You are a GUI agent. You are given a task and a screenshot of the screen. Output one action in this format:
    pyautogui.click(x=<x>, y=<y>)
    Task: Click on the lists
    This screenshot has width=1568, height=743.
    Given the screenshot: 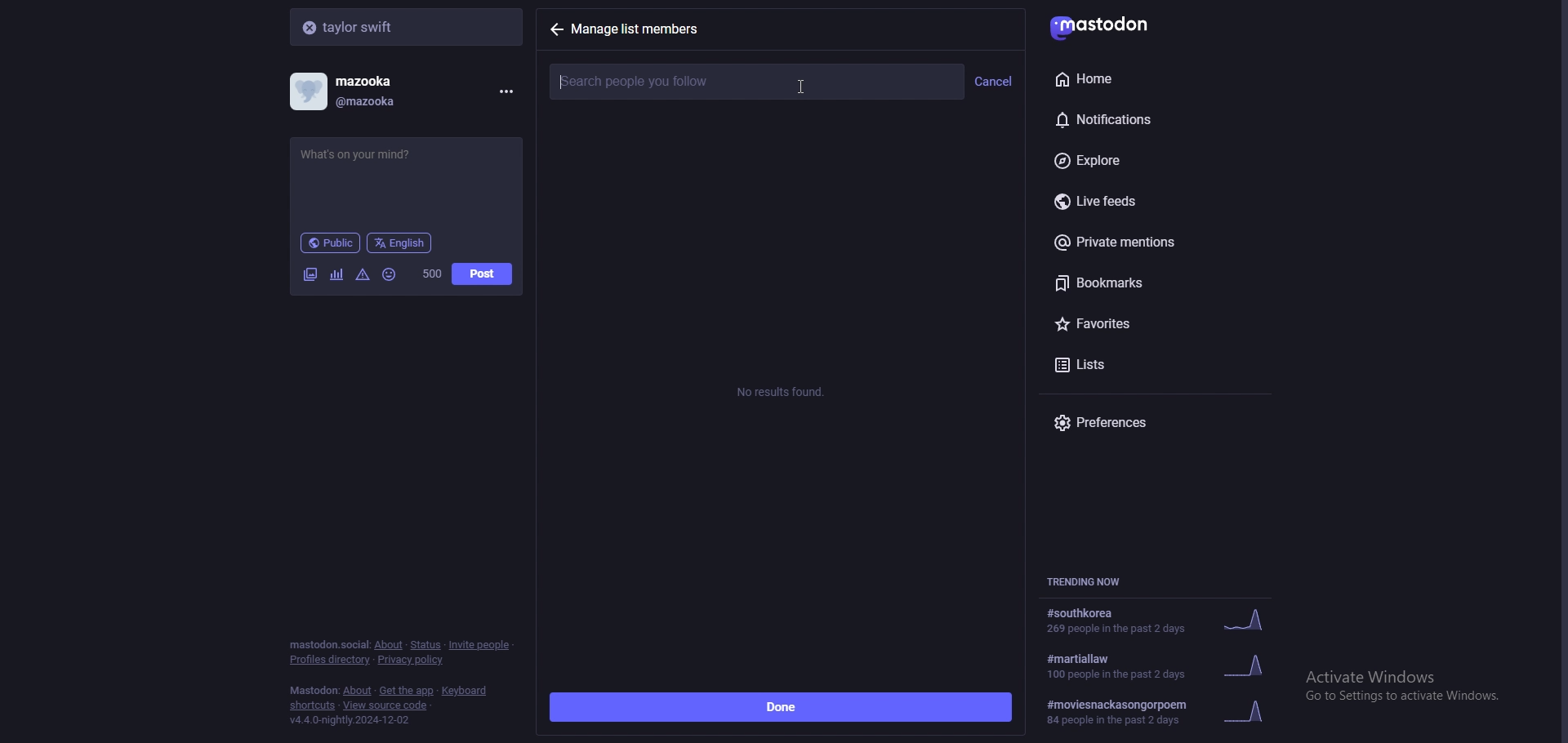 What is the action you would take?
    pyautogui.click(x=1118, y=363)
    